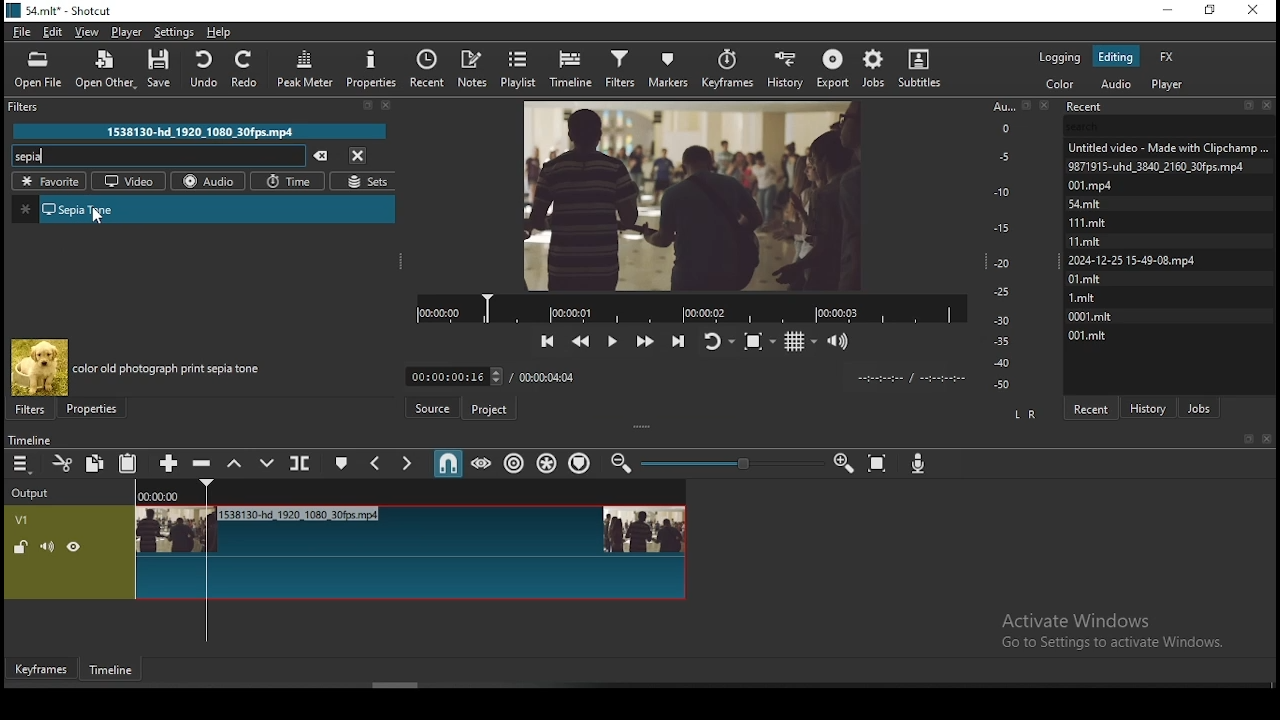  I want to click on open other, so click(106, 69).